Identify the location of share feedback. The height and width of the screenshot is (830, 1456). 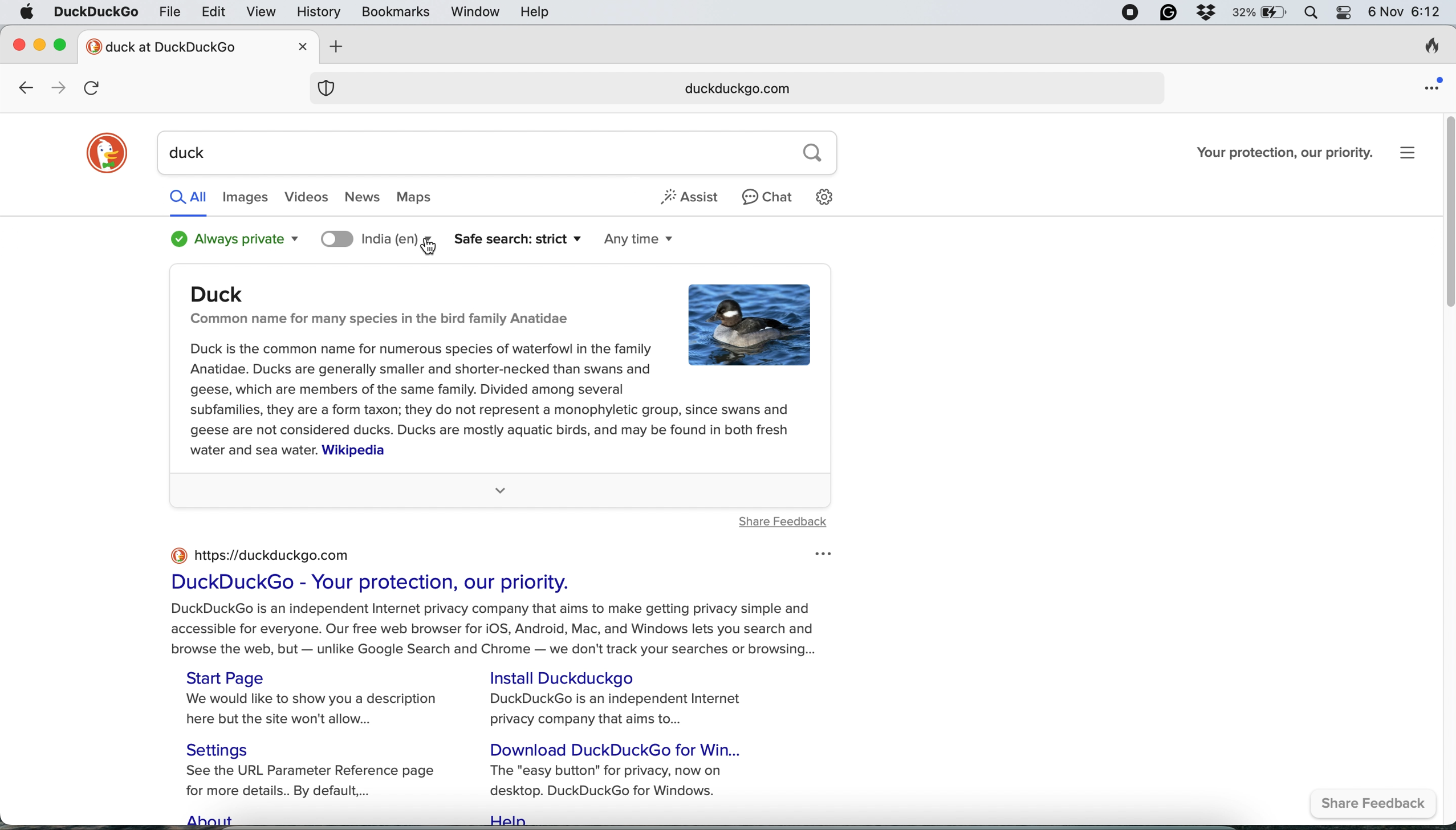
(1378, 805).